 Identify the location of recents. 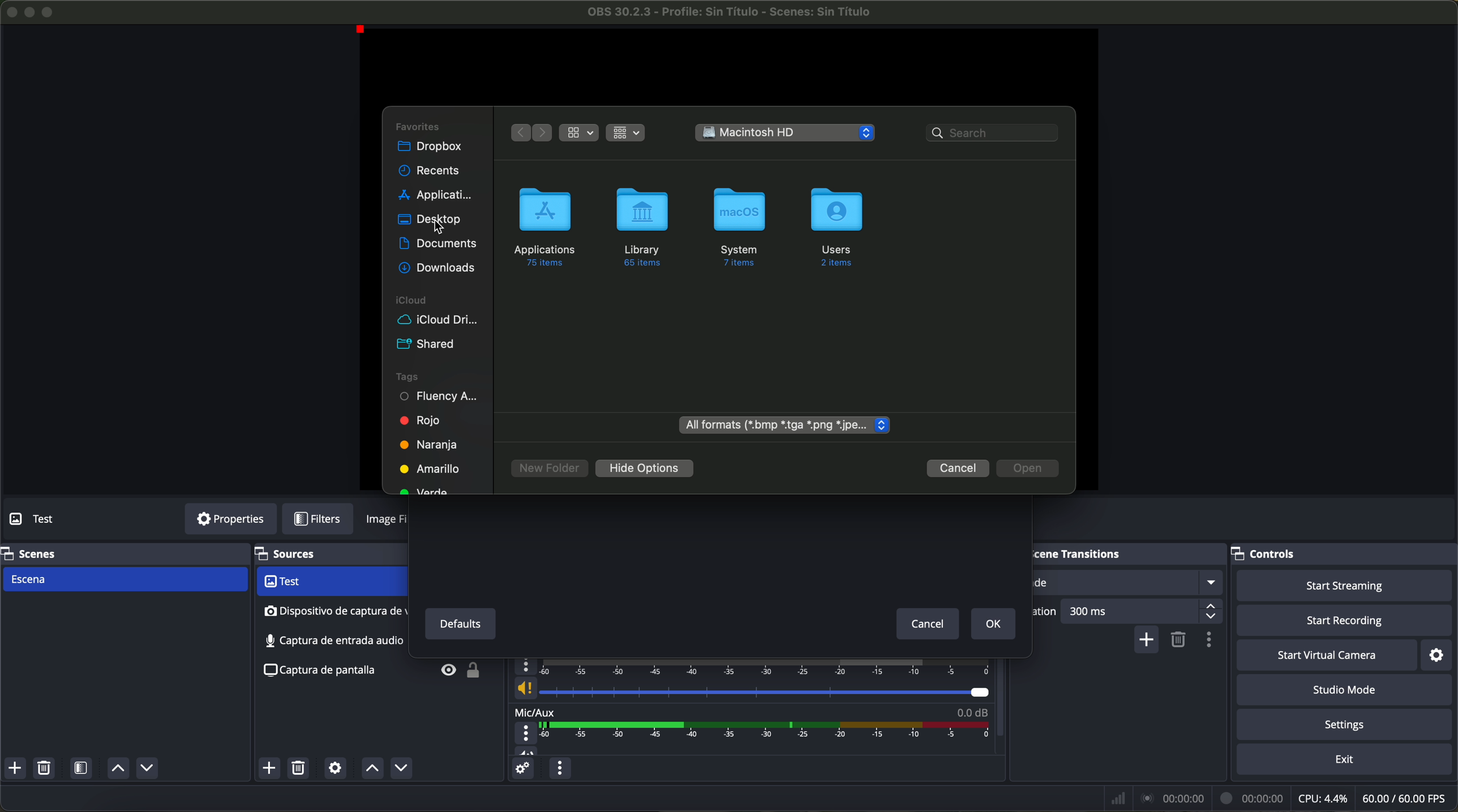
(428, 171).